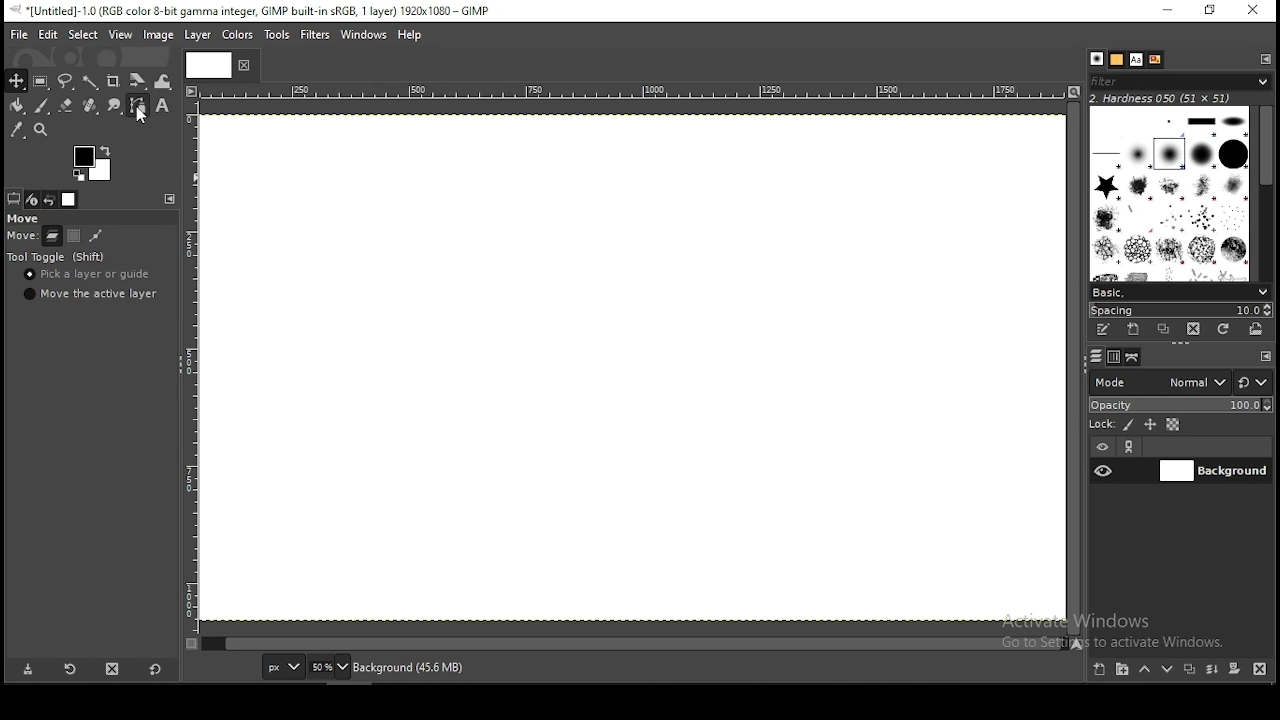 The image size is (1280, 720). What do you see at coordinates (1102, 329) in the screenshot?
I see `edit this brush` at bounding box center [1102, 329].